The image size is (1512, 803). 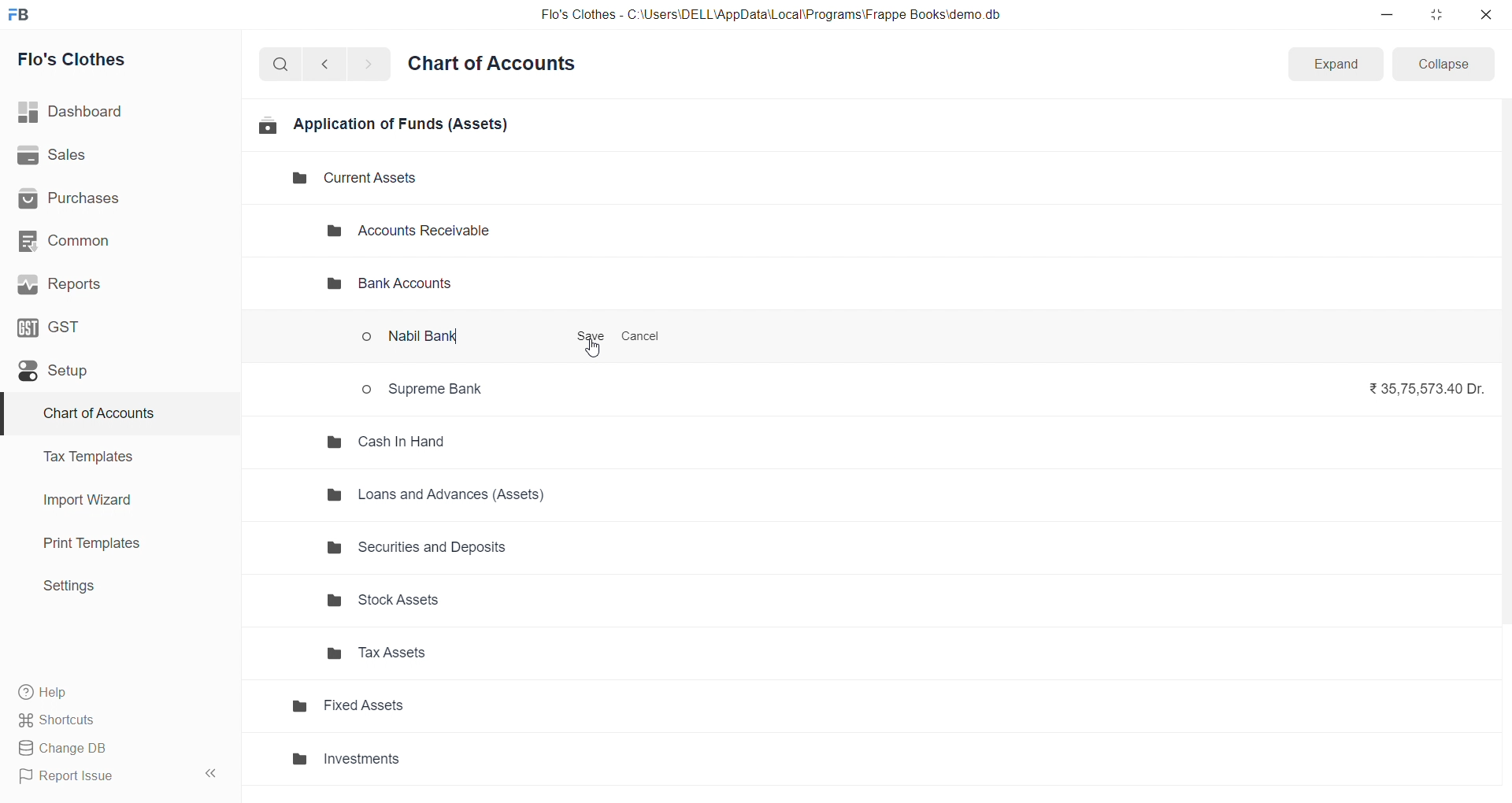 I want to click on Cash In Hand, so click(x=392, y=441).